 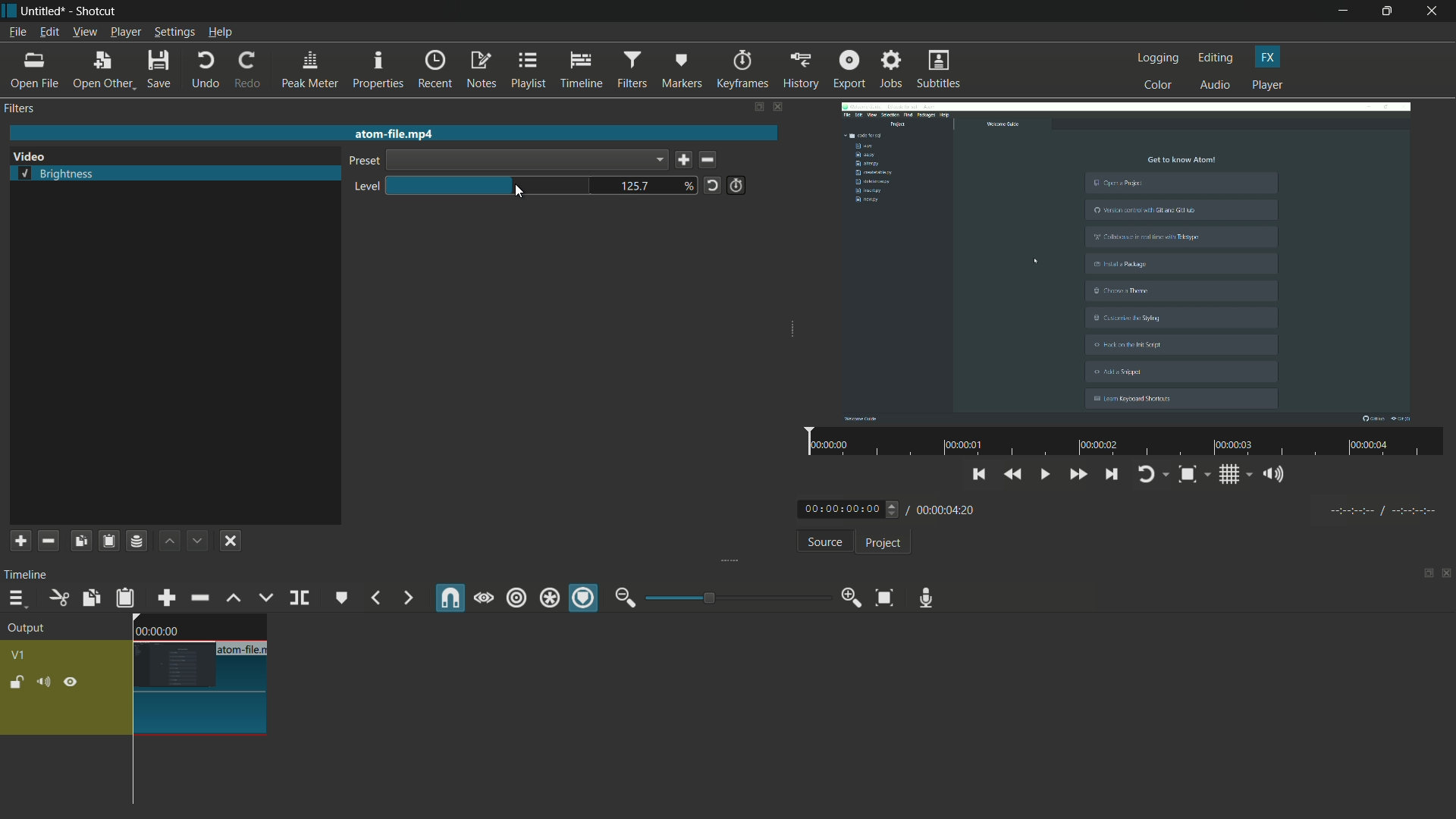 I want to click on level, so click(x=363, y=187).